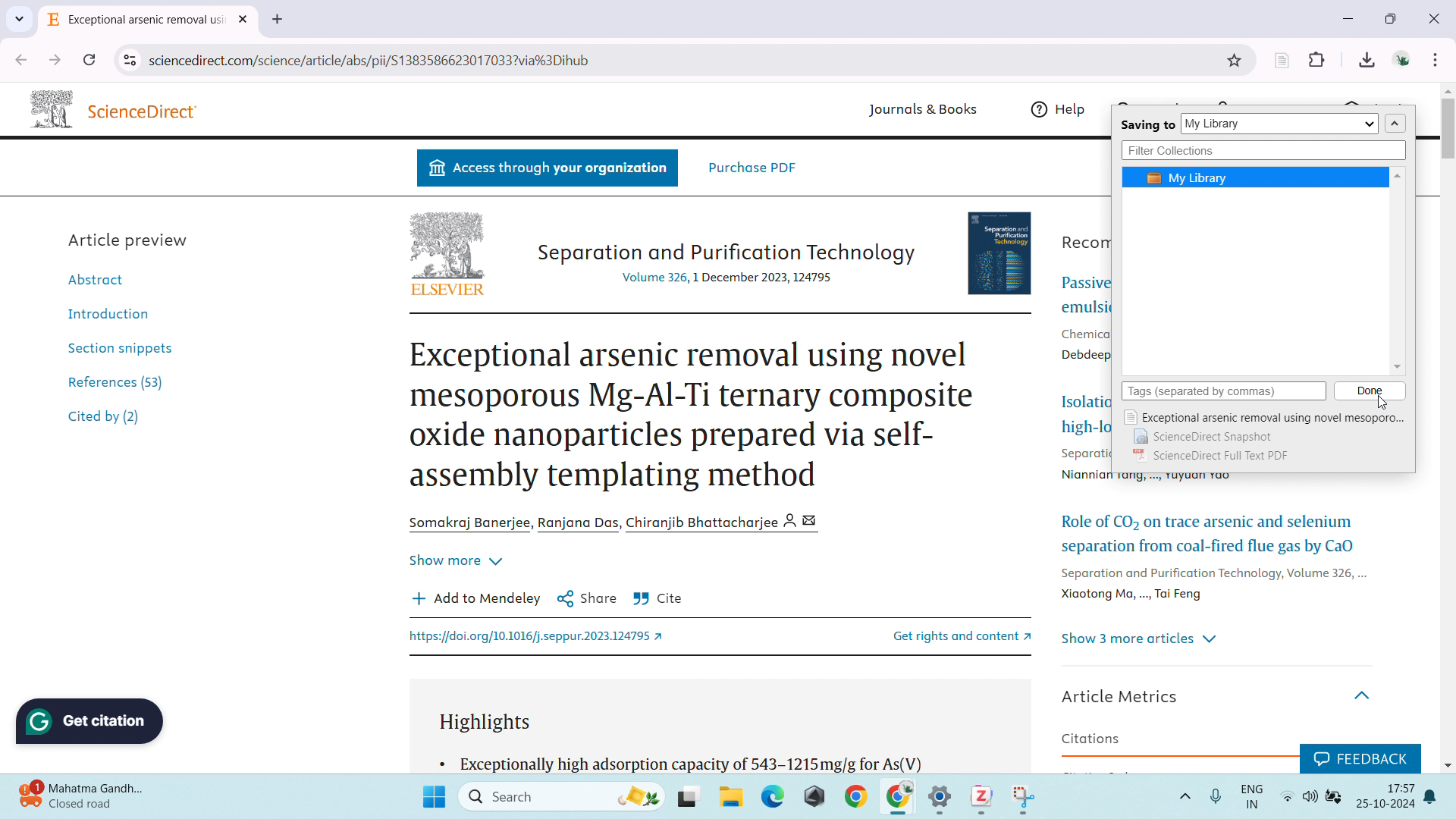  What do you see at coordinates (146, 111) in the screenshot?
I see `ScienceDirect` at bounding box center [146, 111].